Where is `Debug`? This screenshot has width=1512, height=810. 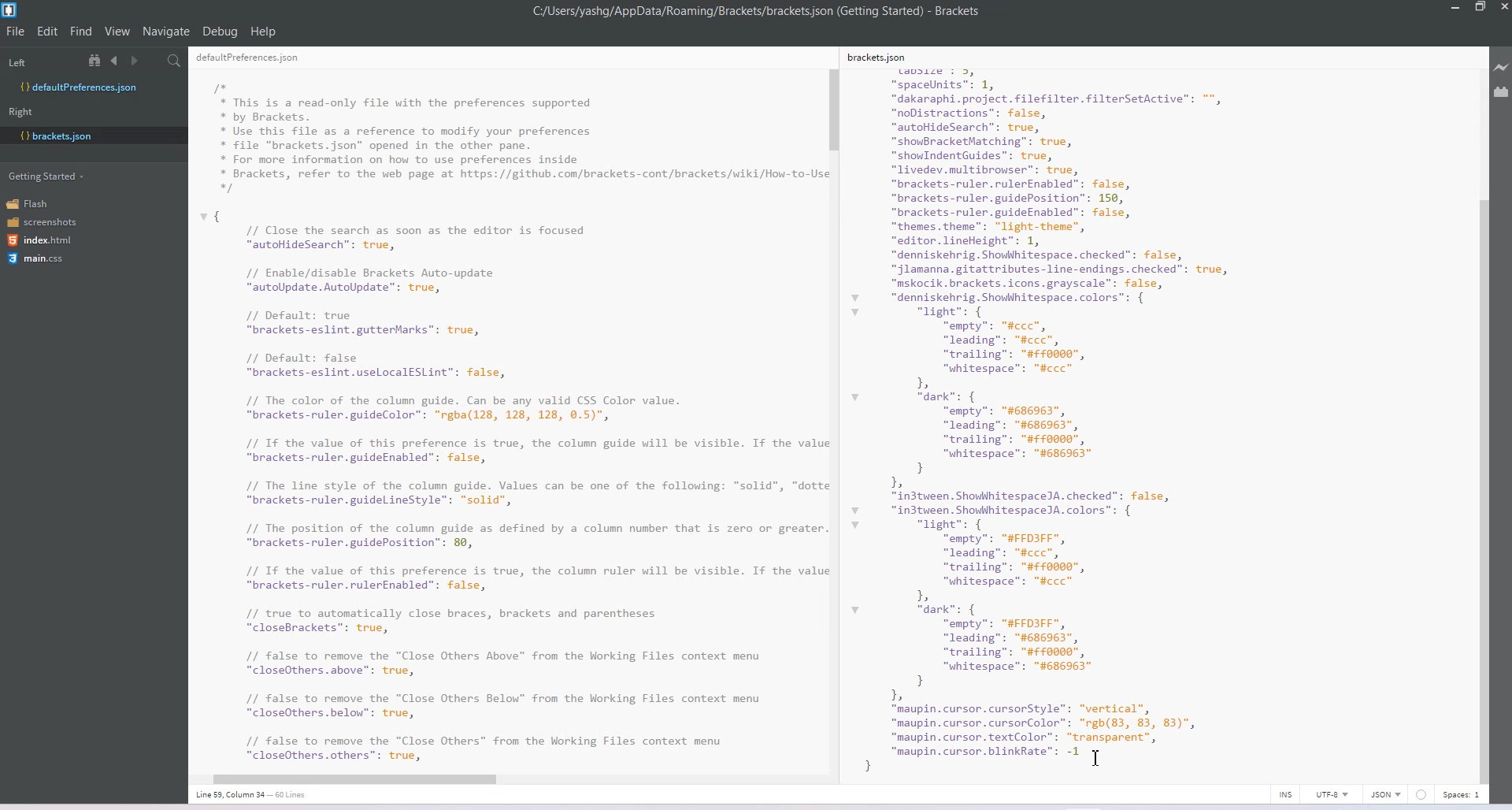 Debug is located at coordinates (220, 31).